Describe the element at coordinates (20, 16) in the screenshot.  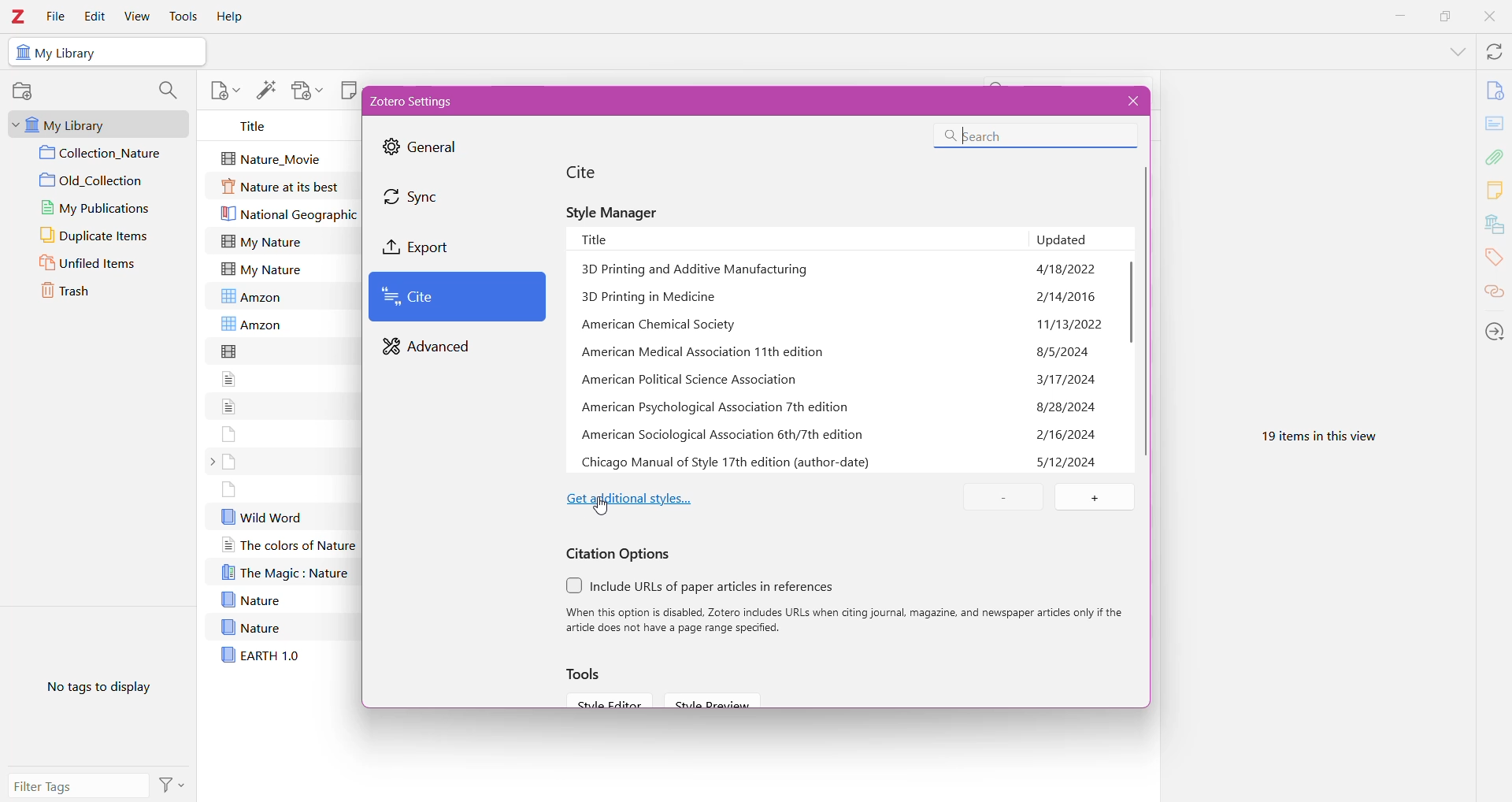
I see `Zotero` at that location.